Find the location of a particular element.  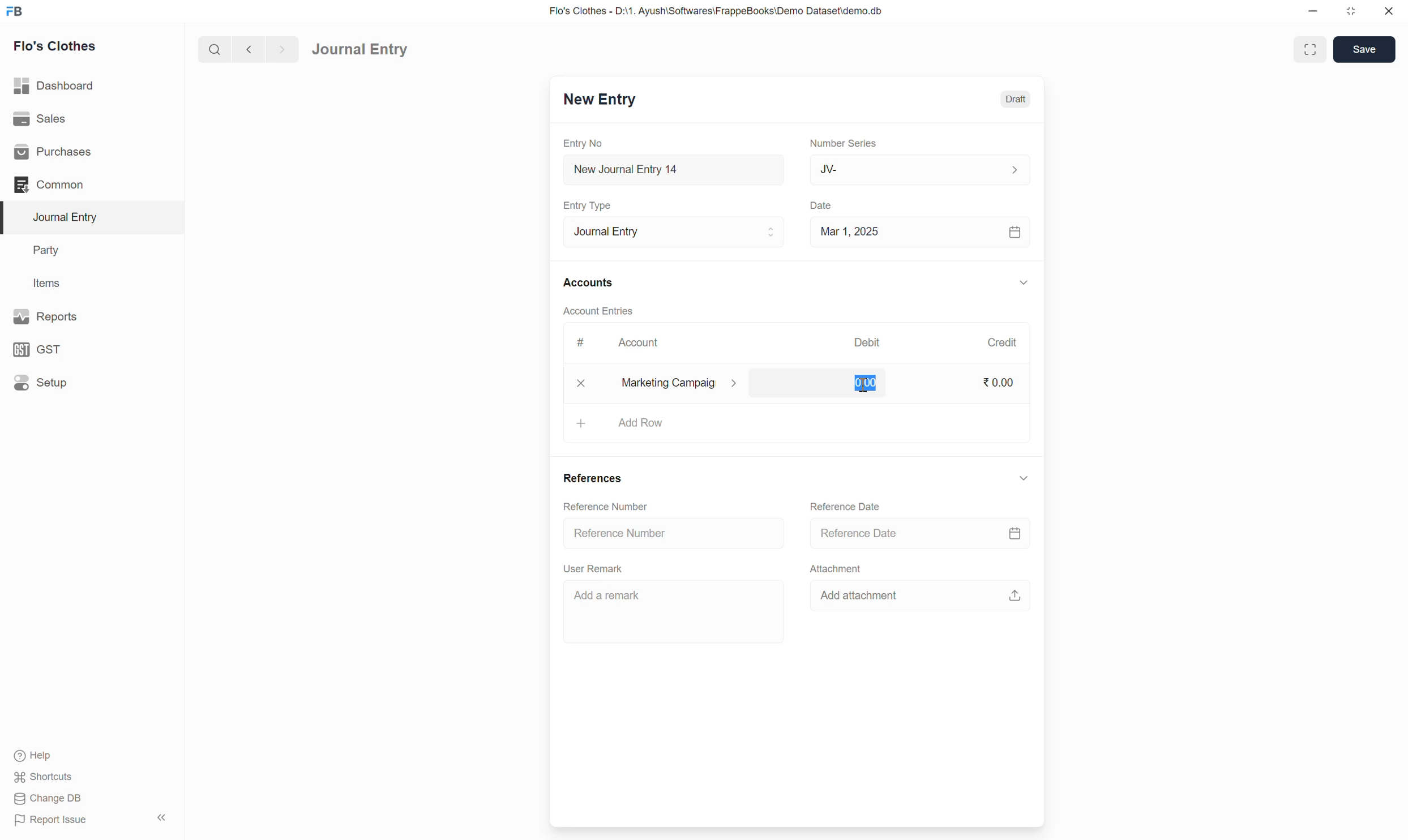

Account Entries is located at coordinates (599, 310).